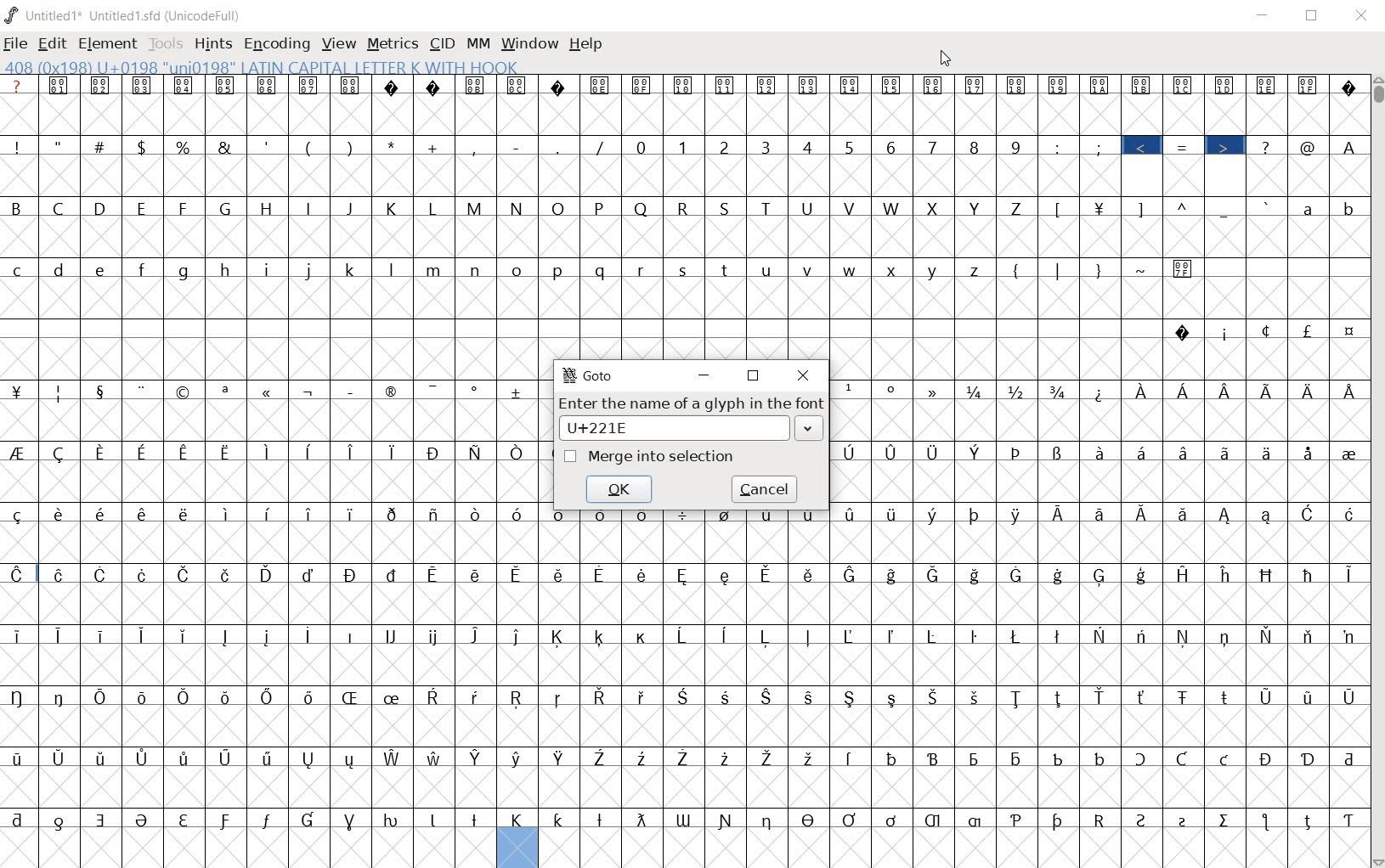 This screenshot has height=868, width=1385. What do you see at coordinates (477, 45) in the screenshot?
I see `mm` at bounding box center [477, 45].